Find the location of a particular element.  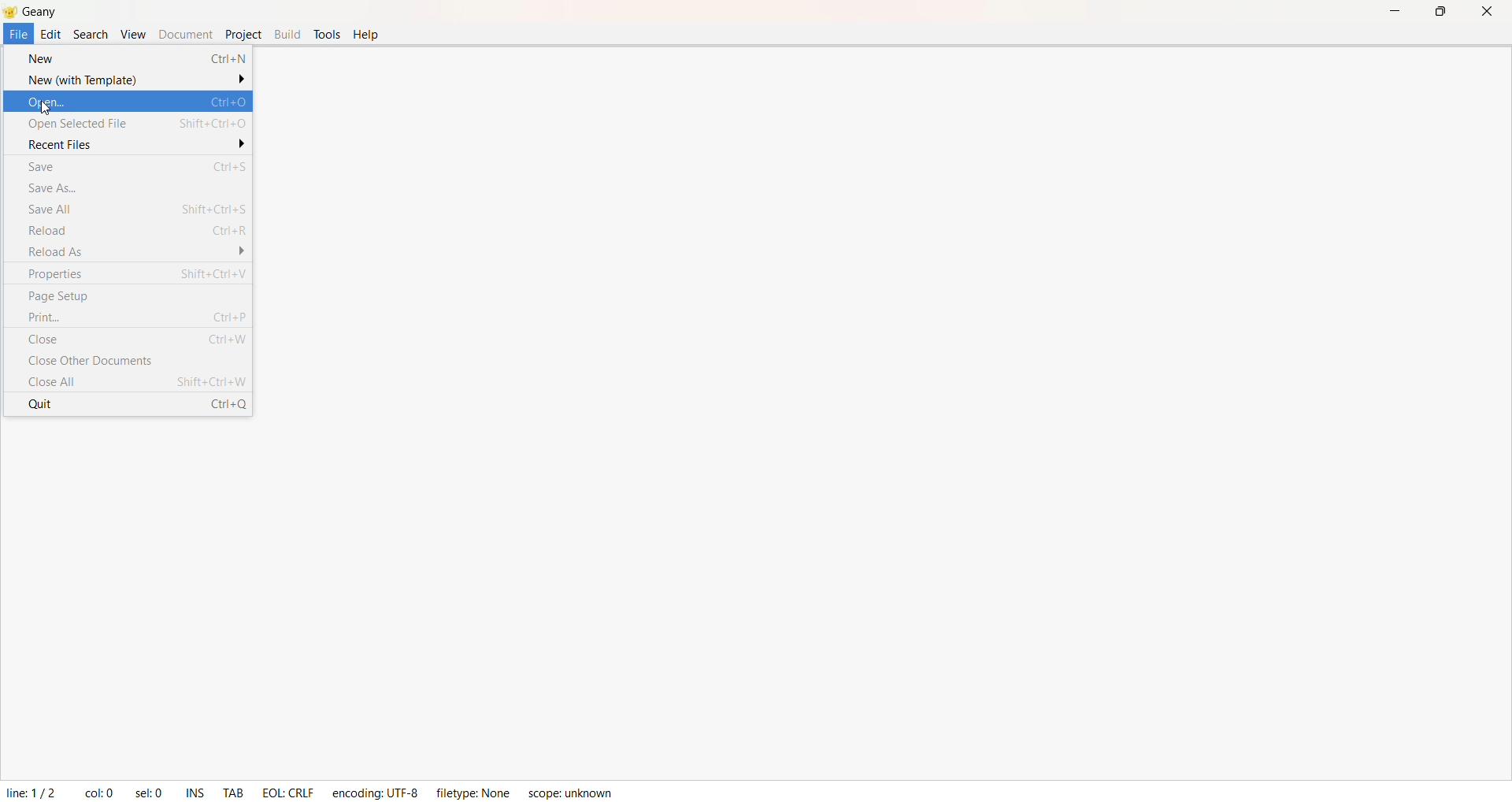

Edit is located at coordinates (50, 35).